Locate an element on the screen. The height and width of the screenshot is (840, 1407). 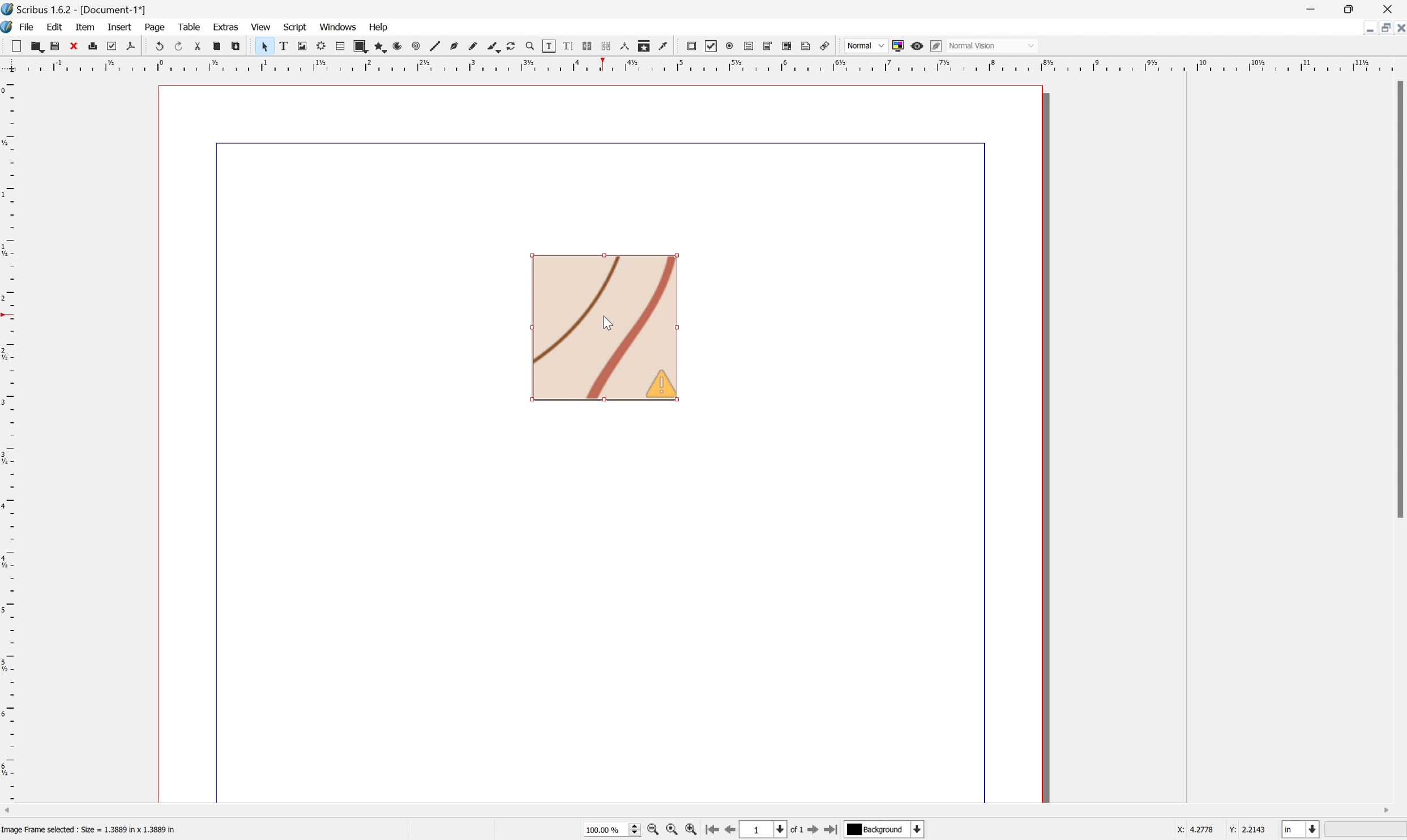
Edit in preview mode is located at coordinates (936, 46).